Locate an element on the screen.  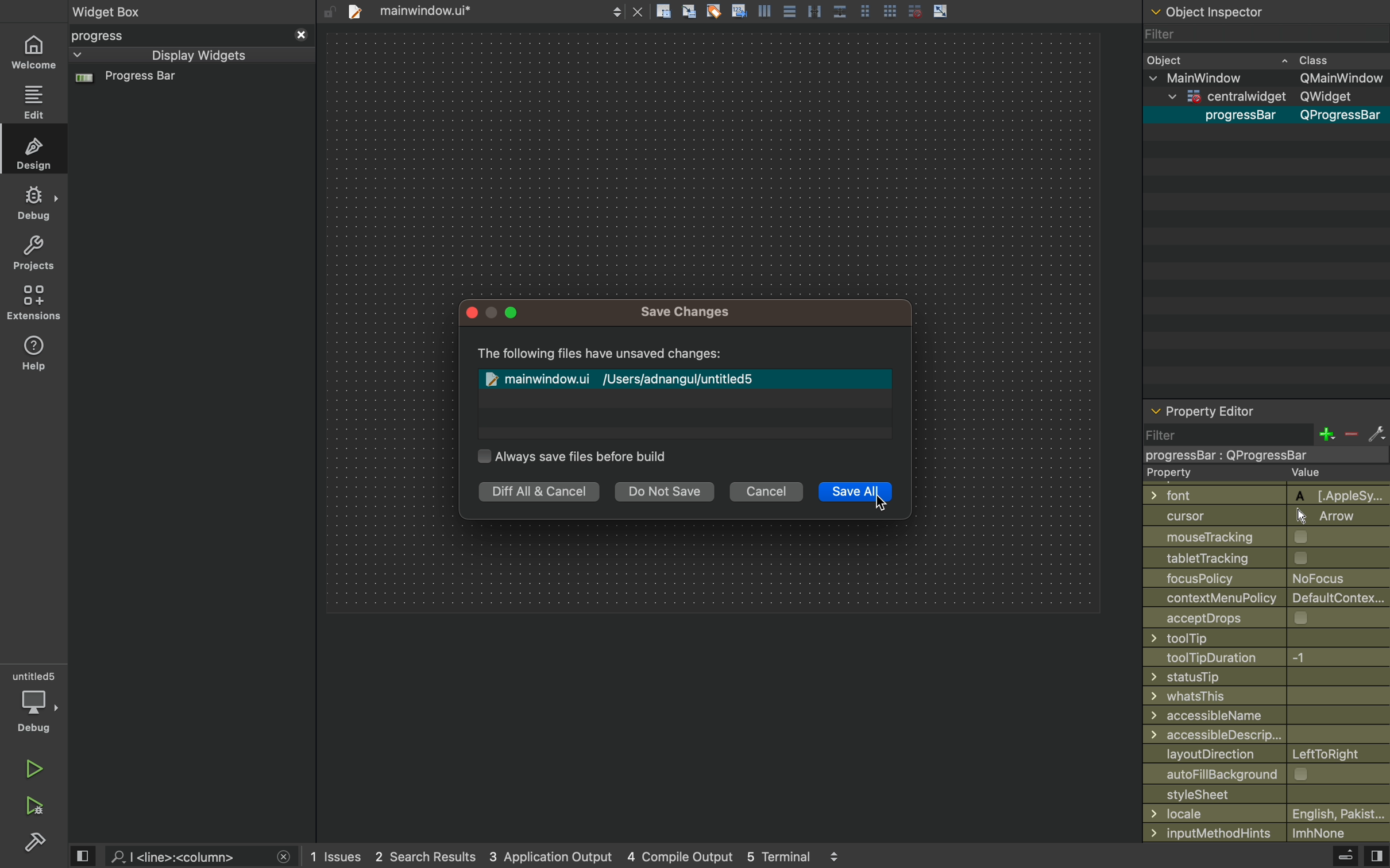
centrawidget is located at coordinates (1260, 455).